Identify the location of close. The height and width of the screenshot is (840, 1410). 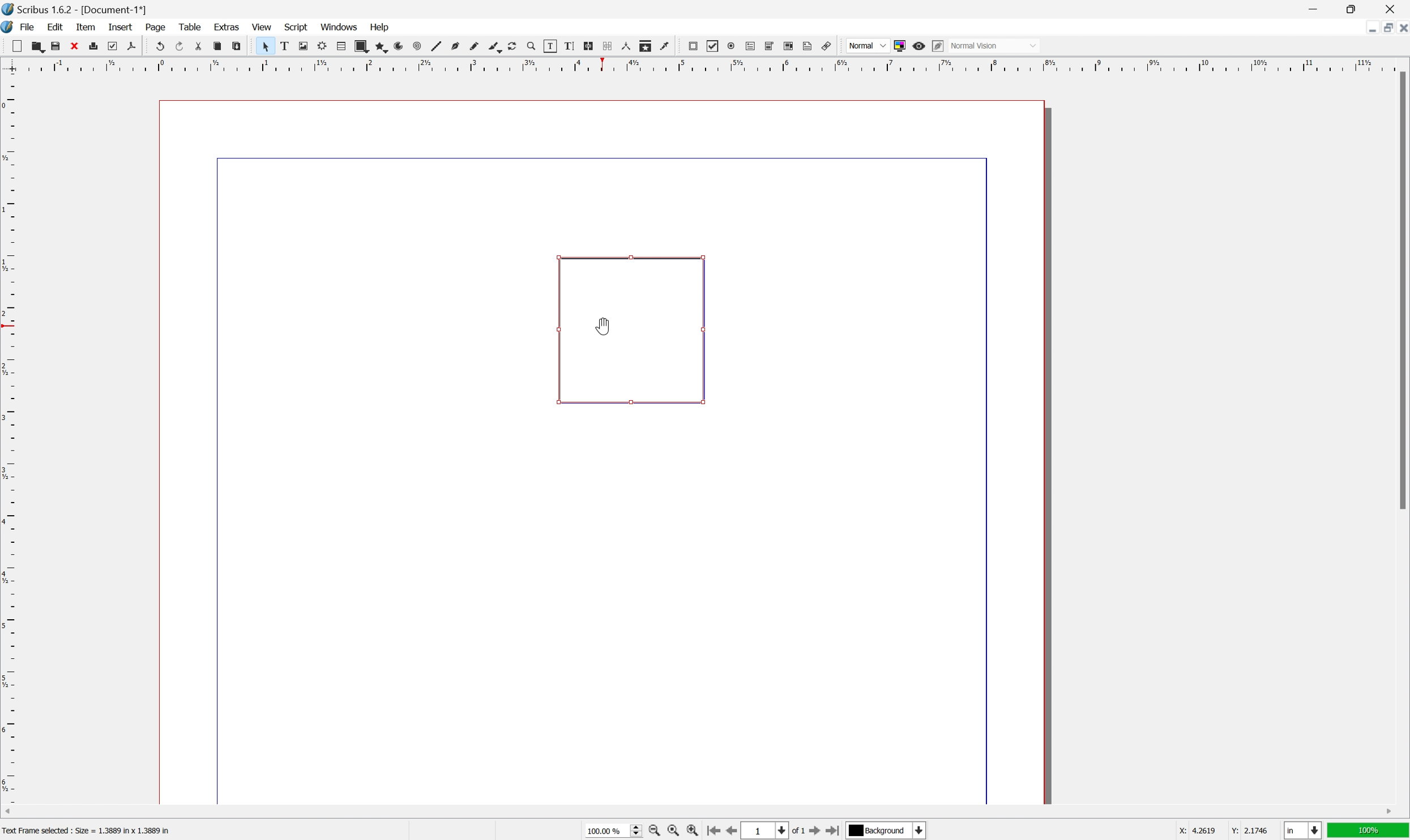
(74, 46).